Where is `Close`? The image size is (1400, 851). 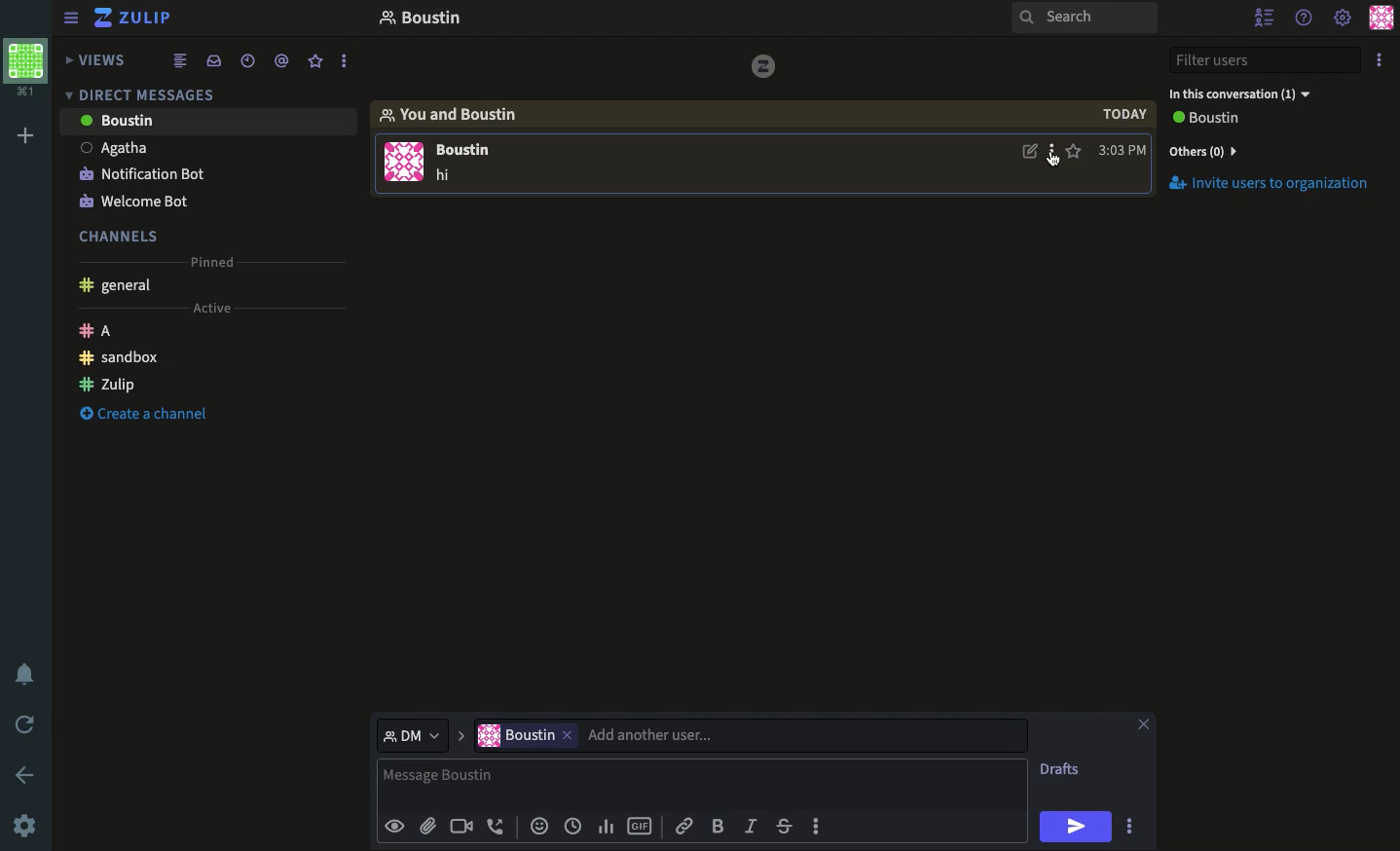
Close is located at coordinates (1145, 722).